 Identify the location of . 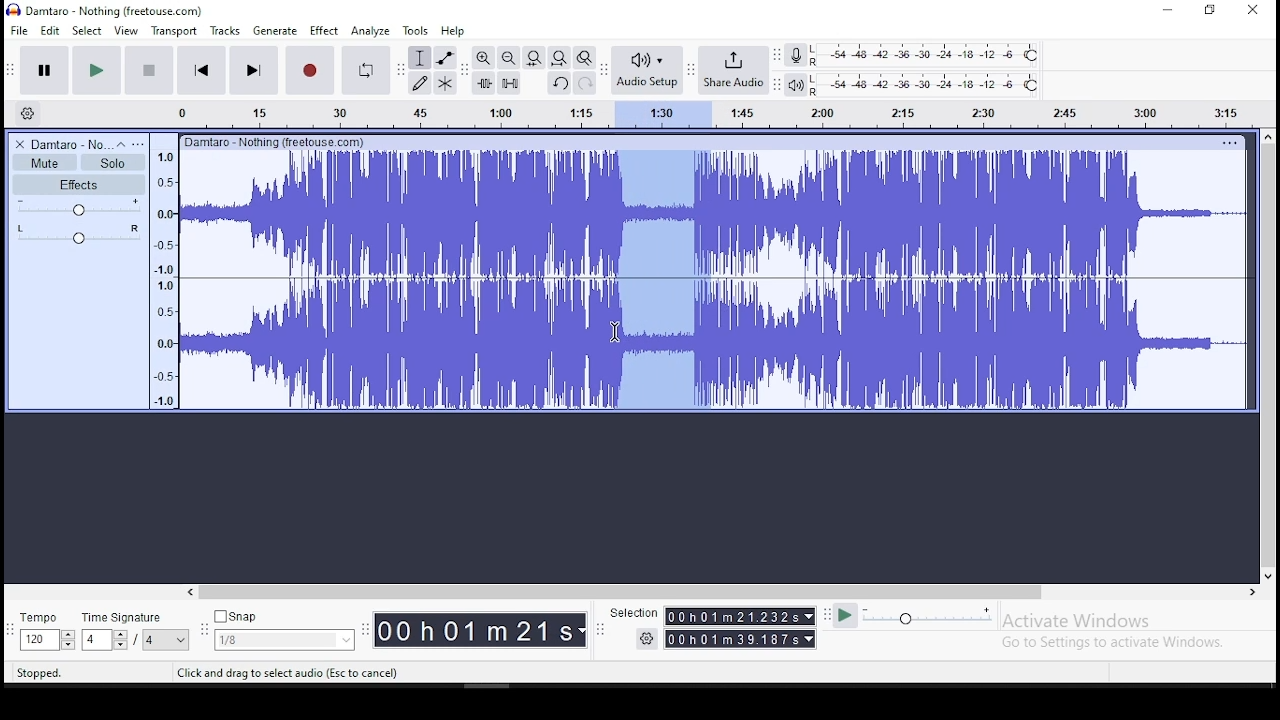
(11, 68).